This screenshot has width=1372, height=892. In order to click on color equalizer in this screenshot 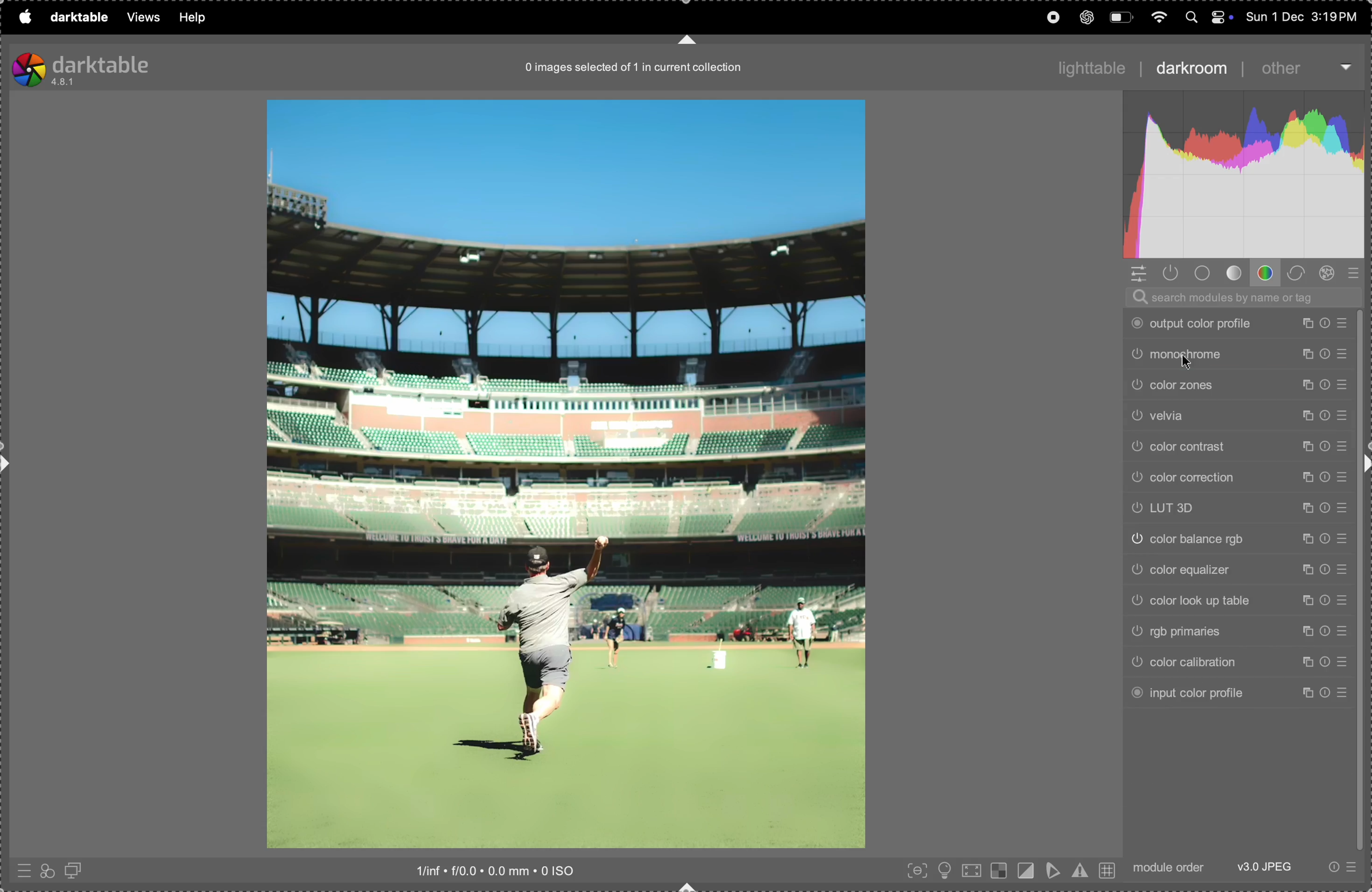, I will do `click(1241, 567)`.